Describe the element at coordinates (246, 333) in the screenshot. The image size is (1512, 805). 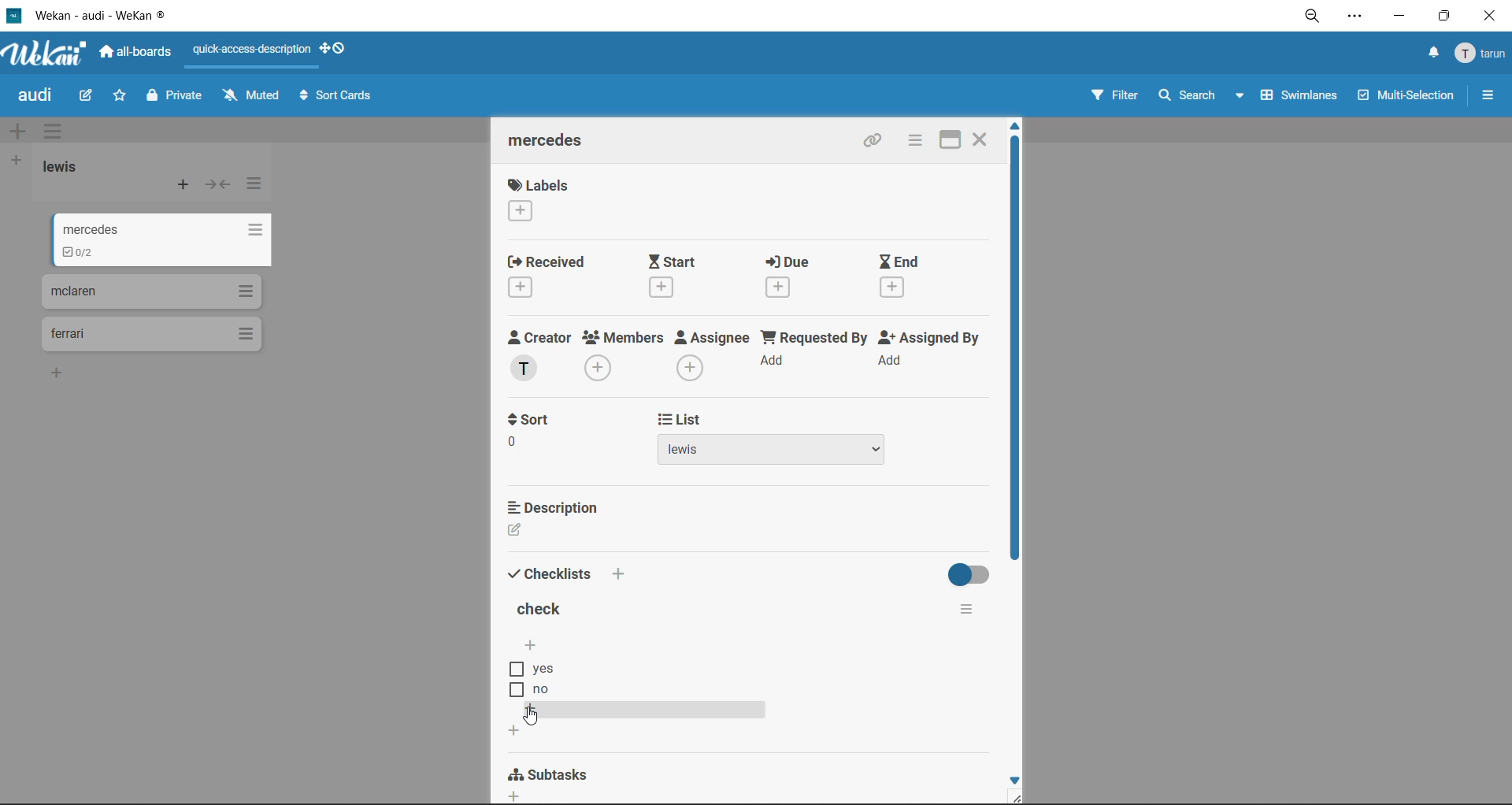
I see `list actions` at that location.